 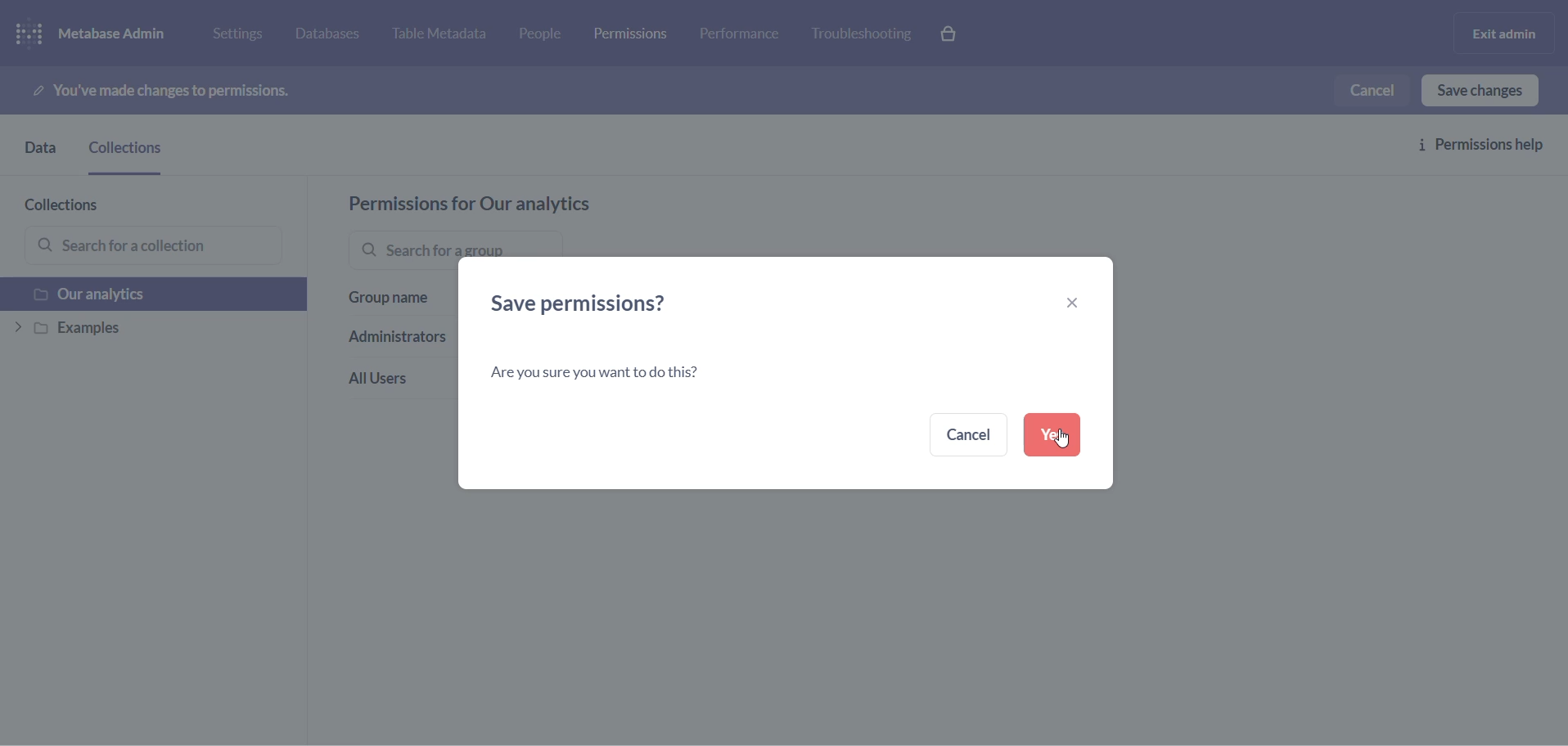 I want to click on search bar, so click(x=155, y=245).